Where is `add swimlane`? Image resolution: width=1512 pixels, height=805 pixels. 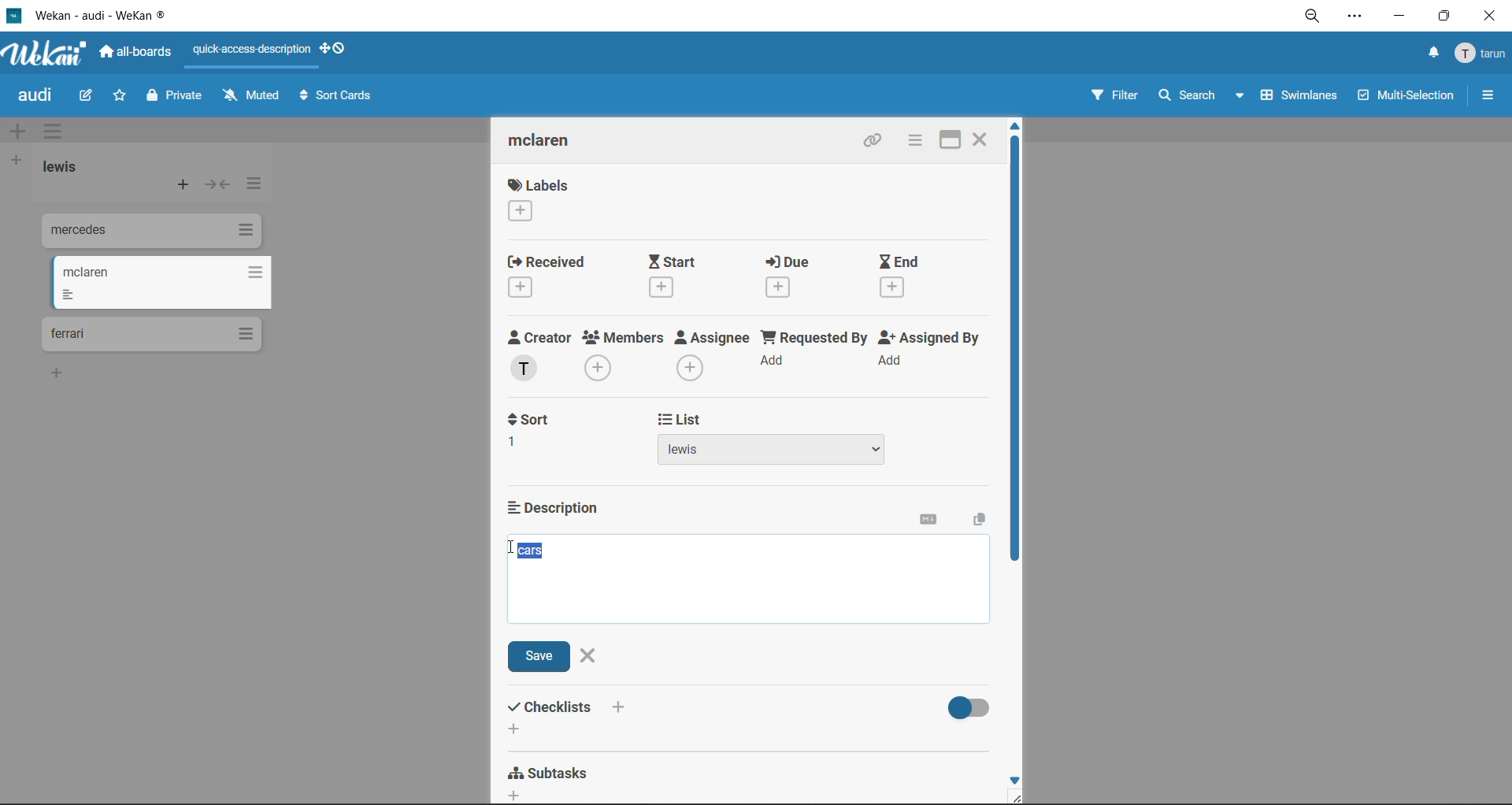
add swimlane is located at coordinates (21, 132).